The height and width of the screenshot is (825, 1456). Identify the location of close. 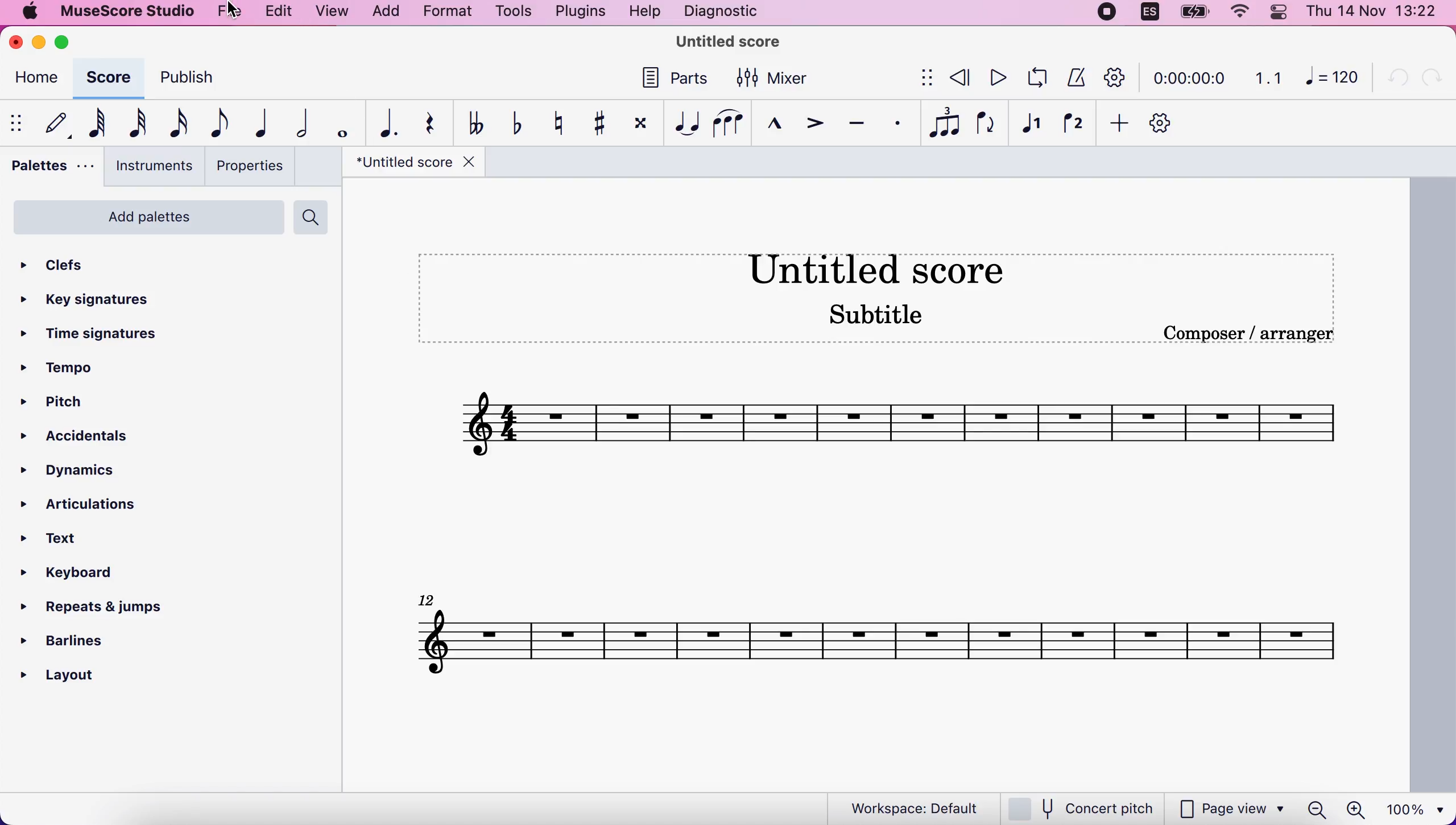
(18, 43).